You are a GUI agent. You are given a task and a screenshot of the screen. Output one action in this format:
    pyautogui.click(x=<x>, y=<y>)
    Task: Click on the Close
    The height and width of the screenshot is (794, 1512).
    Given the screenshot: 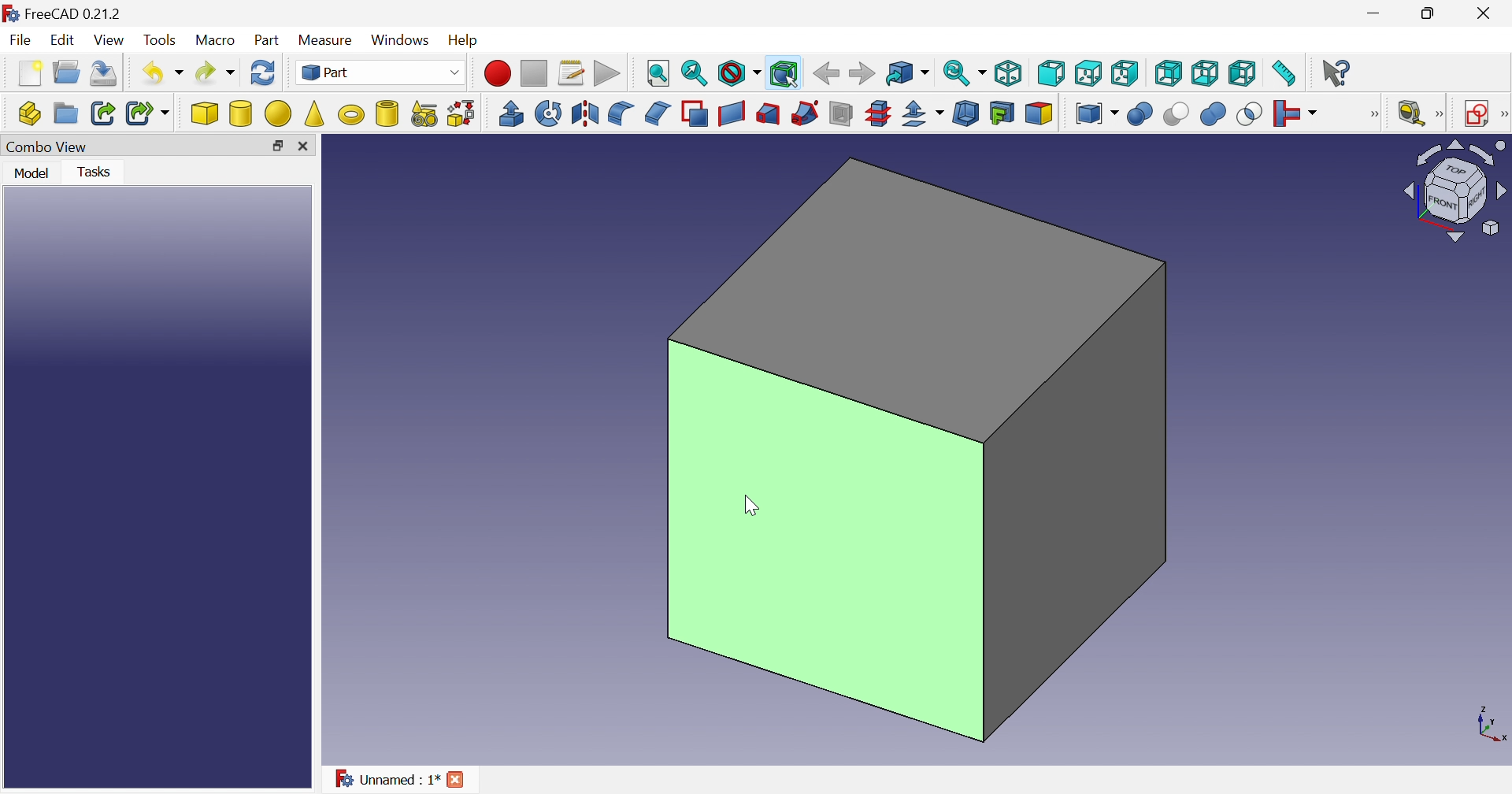 What is the action you would take?
    pyautogui.click(x=458, y=778)
    